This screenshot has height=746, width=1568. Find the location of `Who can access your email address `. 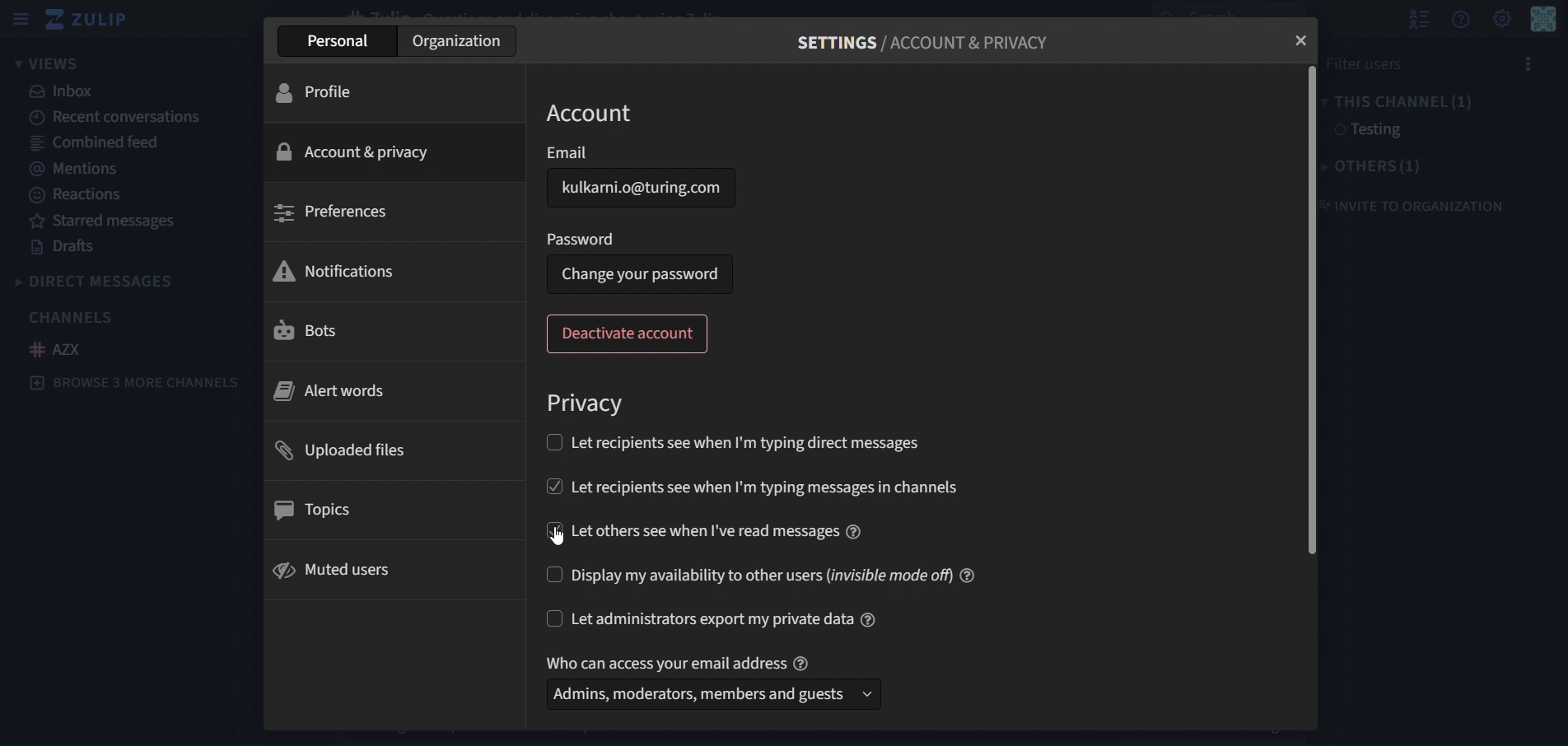

Who can access your email address  is located at coordinates (681, 660).